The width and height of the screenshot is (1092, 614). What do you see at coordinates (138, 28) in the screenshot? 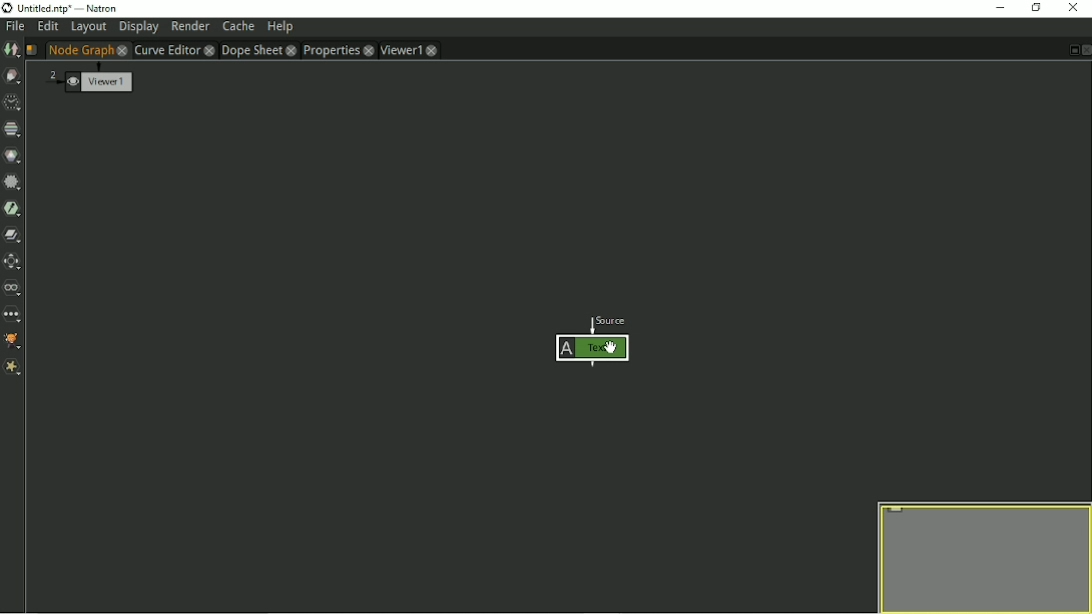
I see `Display` at bounding box center [138, 28].